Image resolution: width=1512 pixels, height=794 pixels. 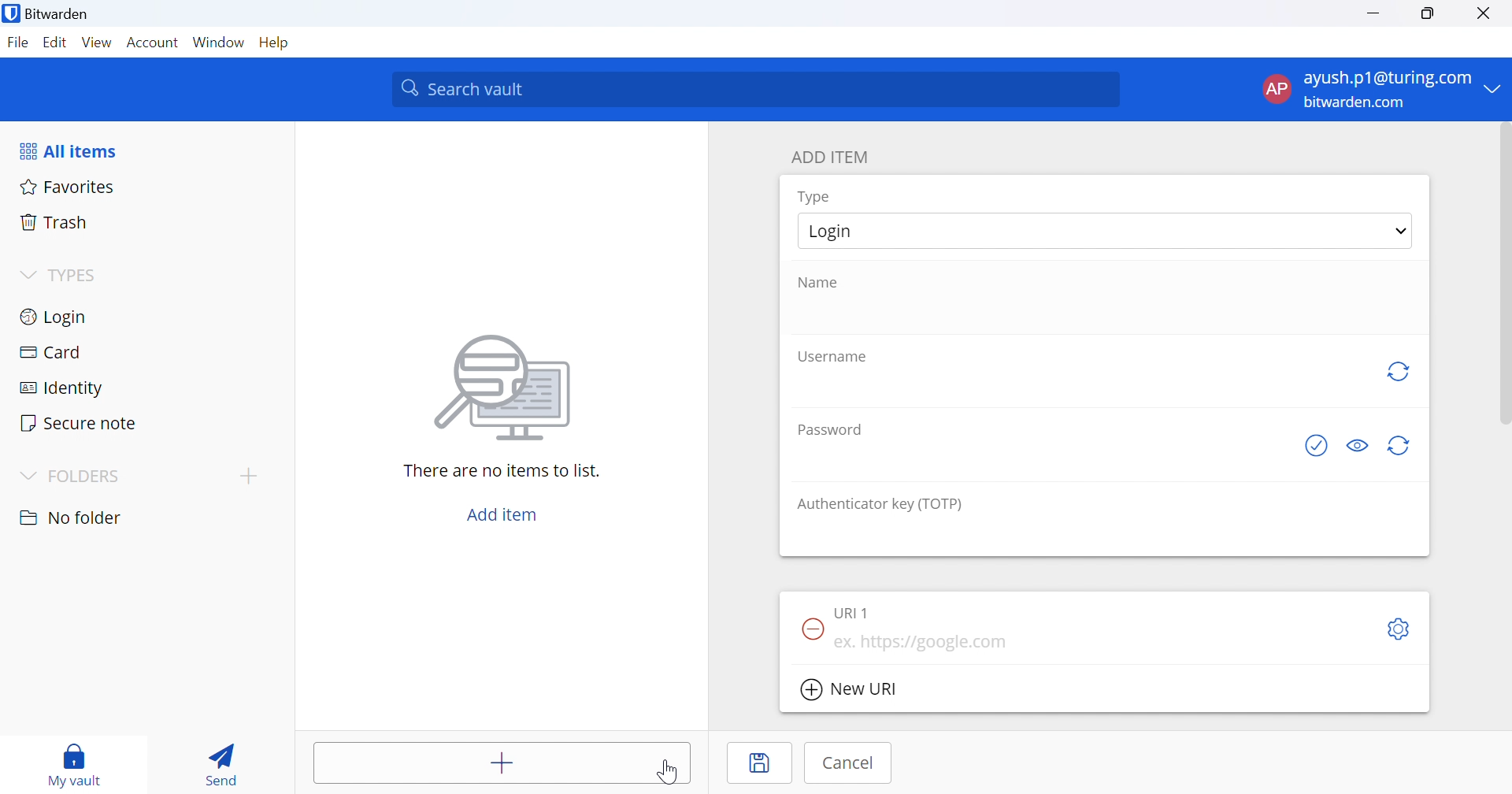 What do you see at coordinates (79, 764) in the screenshot?
I see `my vault` at bounding box center [79, 764].